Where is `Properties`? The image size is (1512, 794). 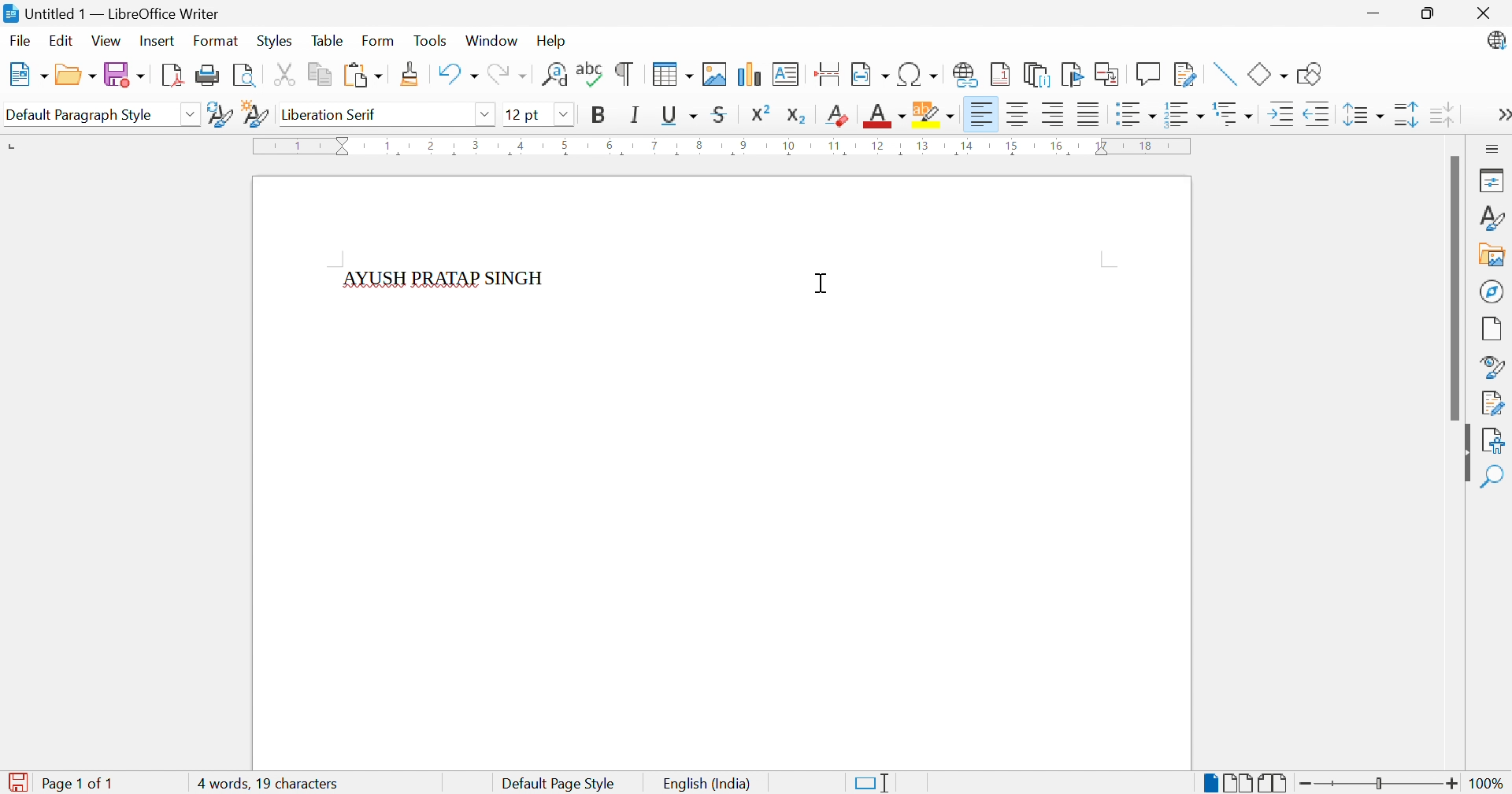
Properties is located at coordinates (1494, 180).